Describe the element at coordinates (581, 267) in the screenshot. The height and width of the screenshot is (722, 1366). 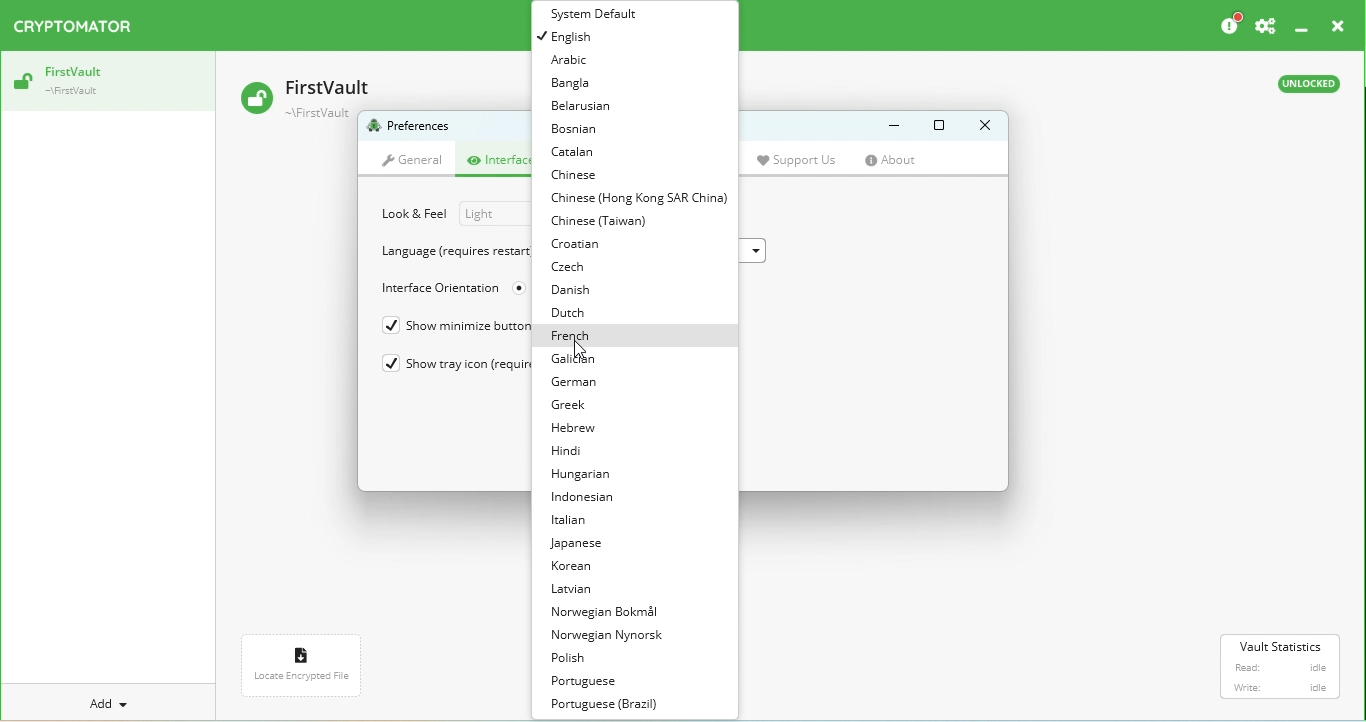
I see `Czeck` at that location.